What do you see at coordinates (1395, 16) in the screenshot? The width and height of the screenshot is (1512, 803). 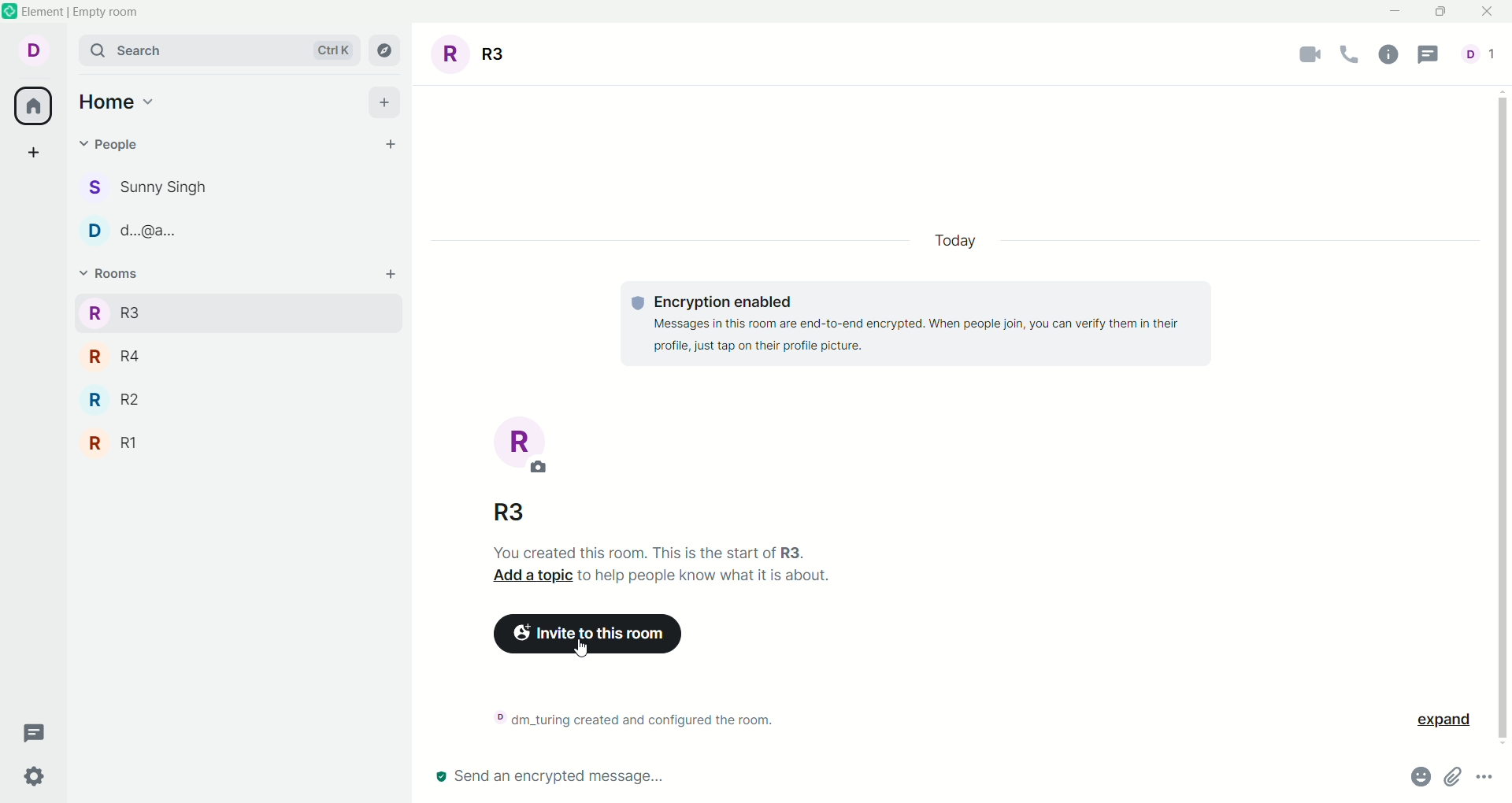 I see `minimize` at bounding box center [1395, 16].